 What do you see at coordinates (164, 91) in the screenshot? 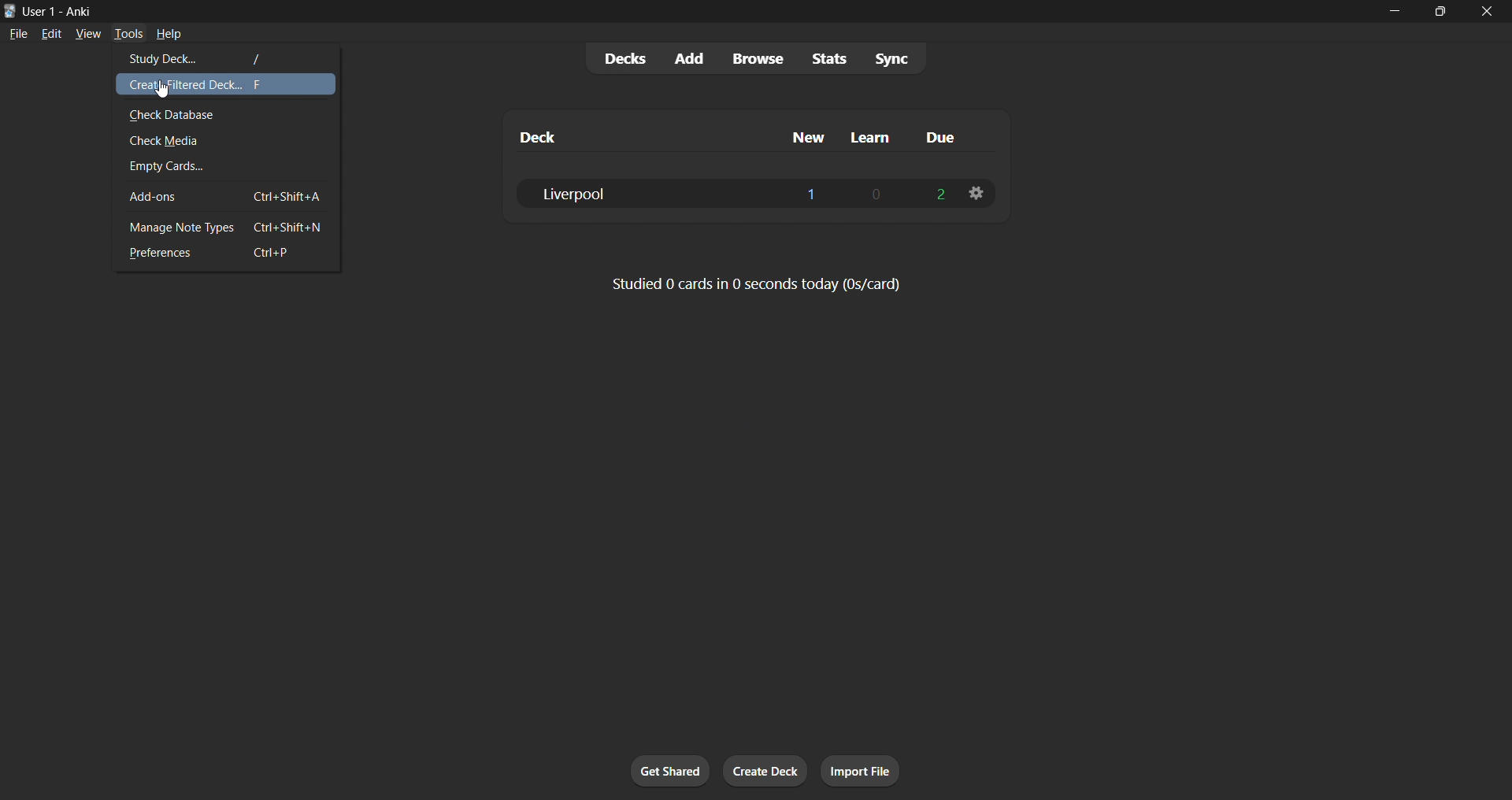
I see `Cursor` at bounding box center [164, 91].